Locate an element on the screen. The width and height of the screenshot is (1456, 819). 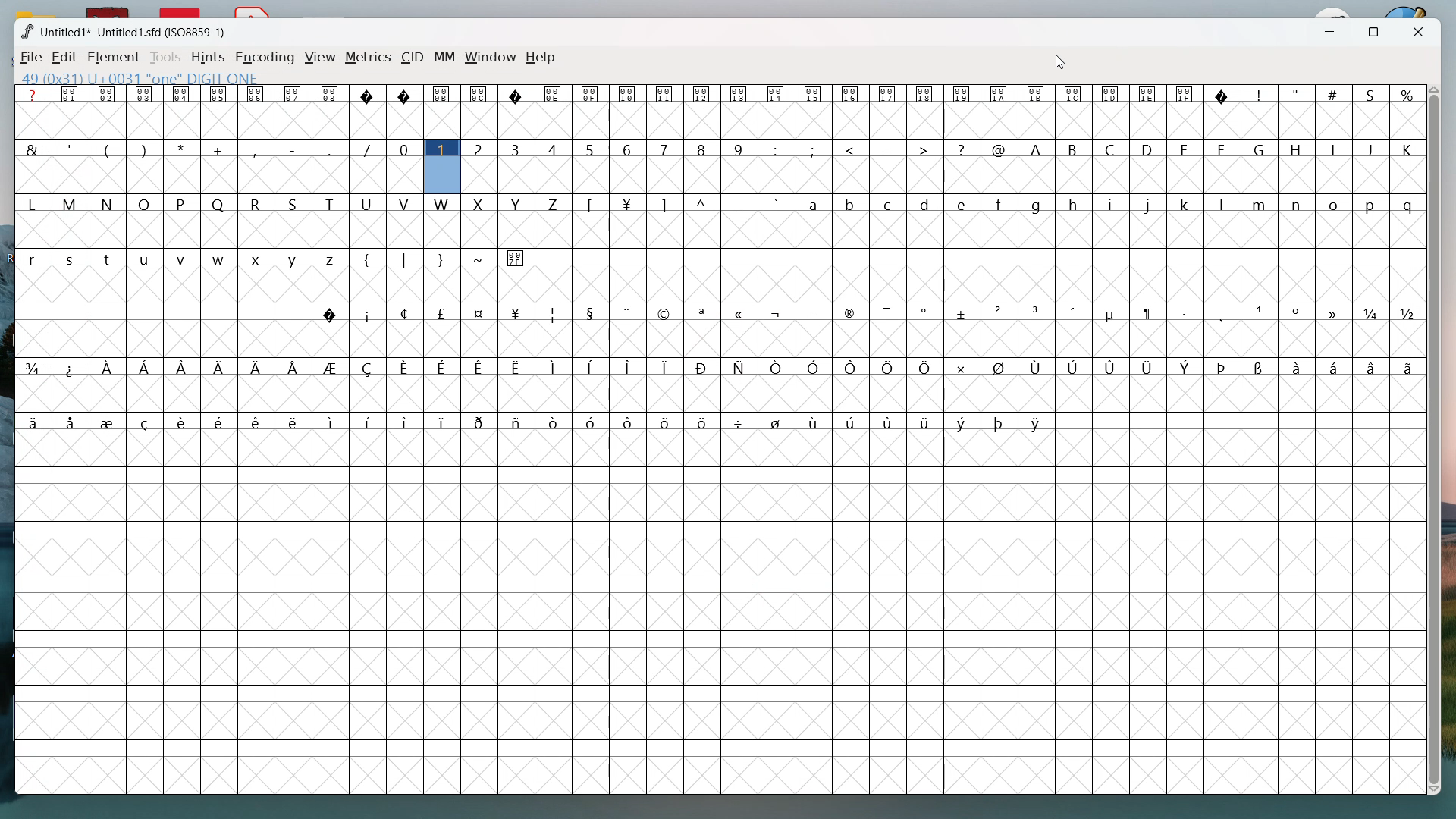
V is located at coordinates (403, 202).